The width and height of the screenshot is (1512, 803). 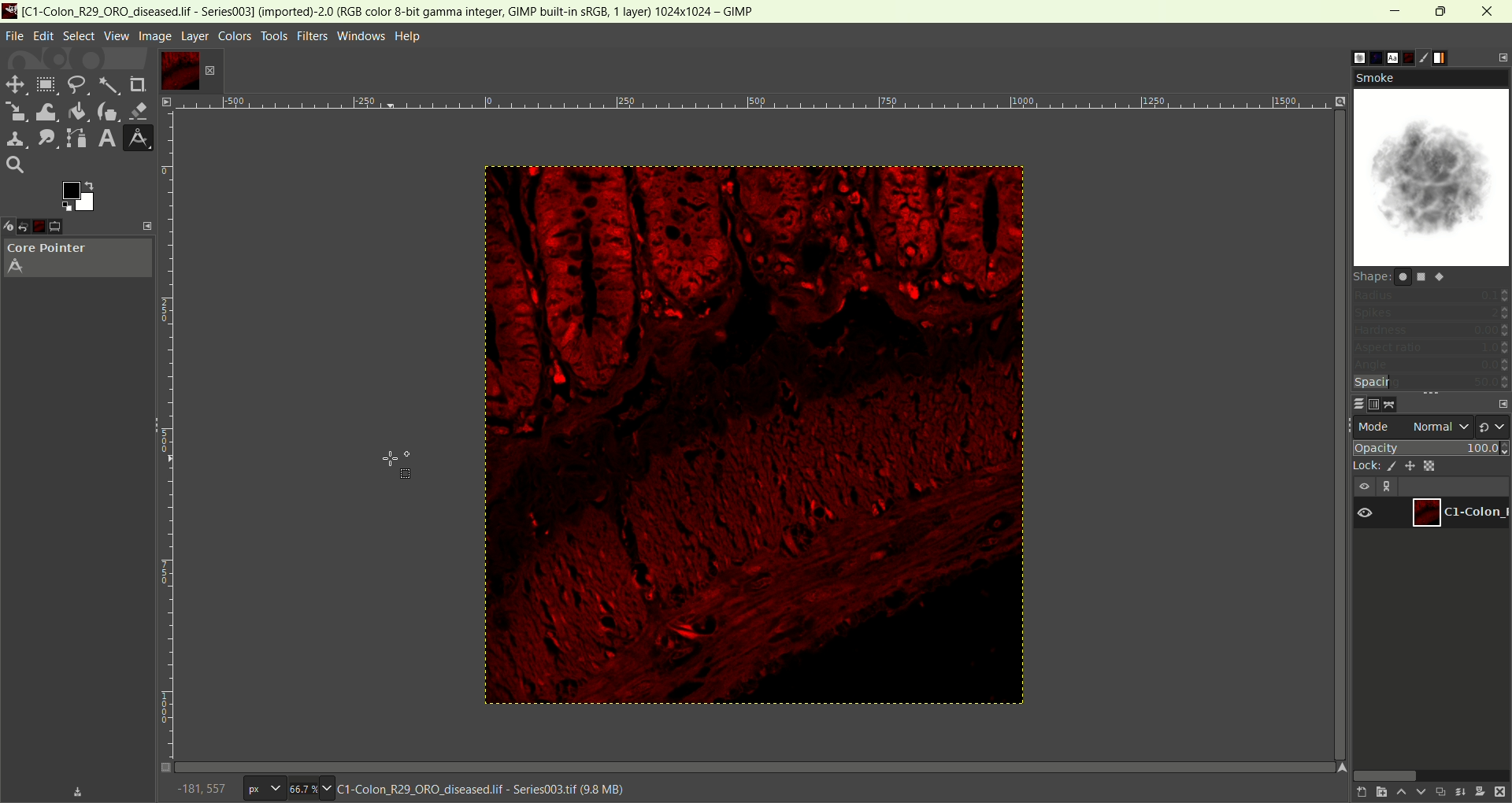 I want to click on radius, so click(x=1432, y=298).